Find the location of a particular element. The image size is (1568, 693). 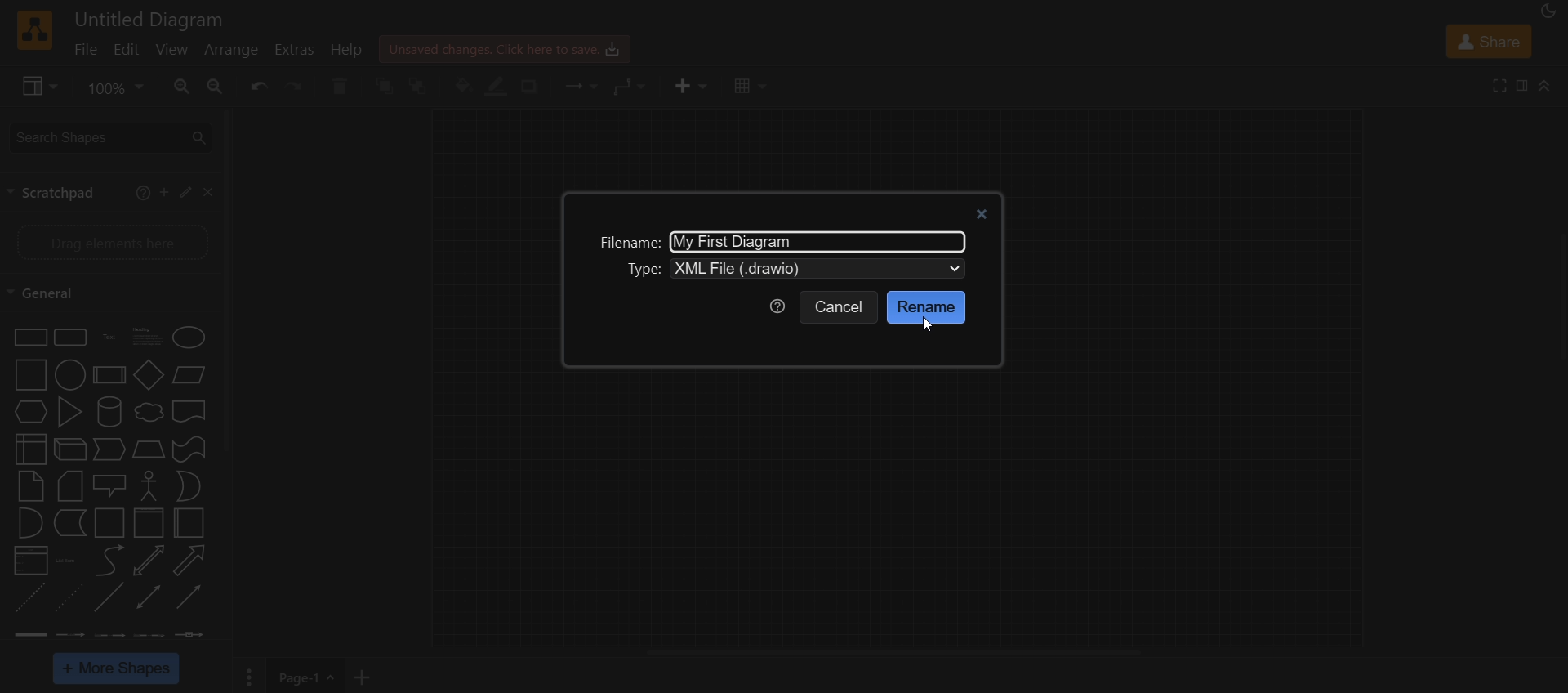

pages is located at coordinates (247, 678).